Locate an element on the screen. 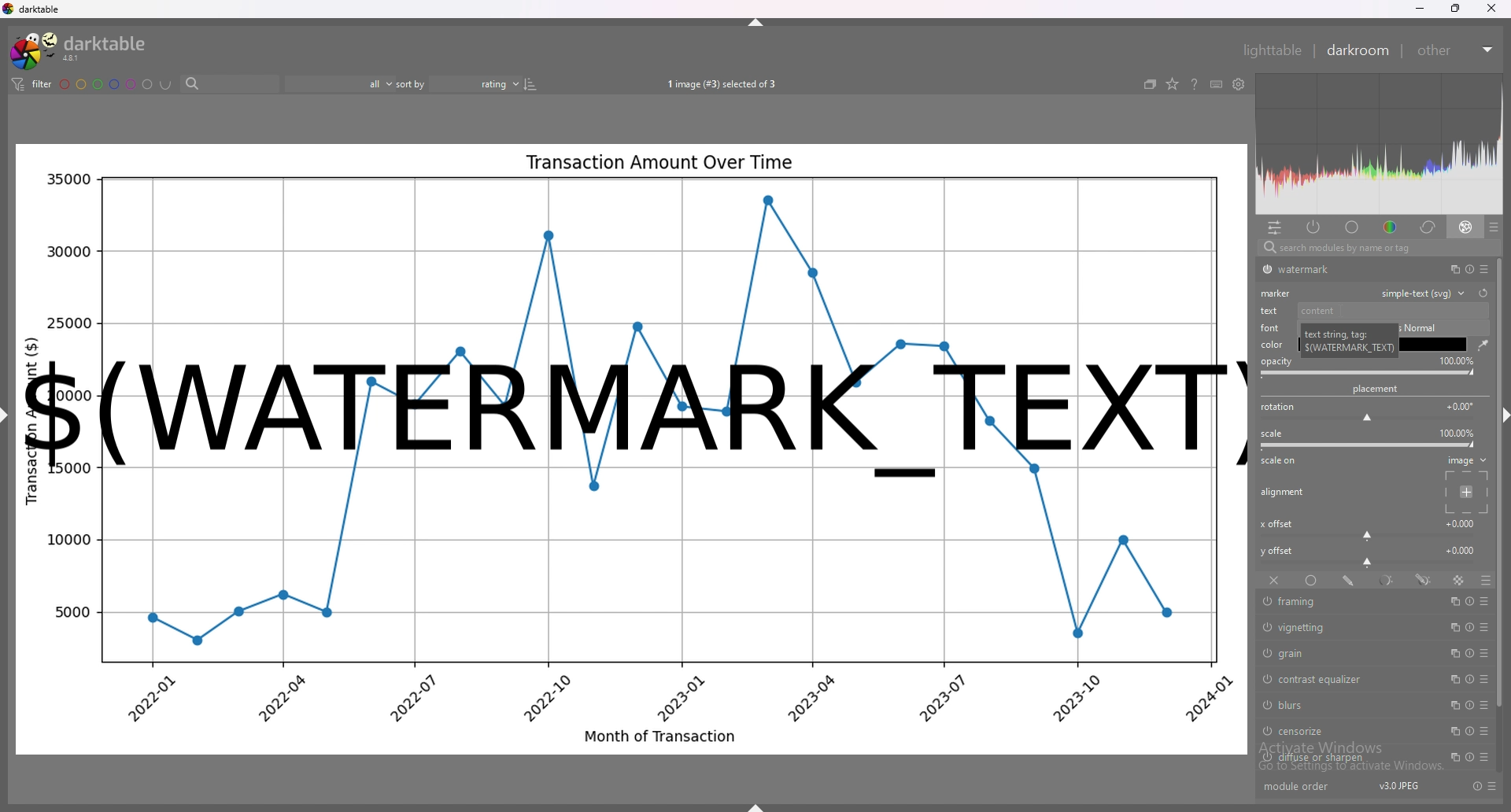  switch off is located at coordinates (1265, 758).